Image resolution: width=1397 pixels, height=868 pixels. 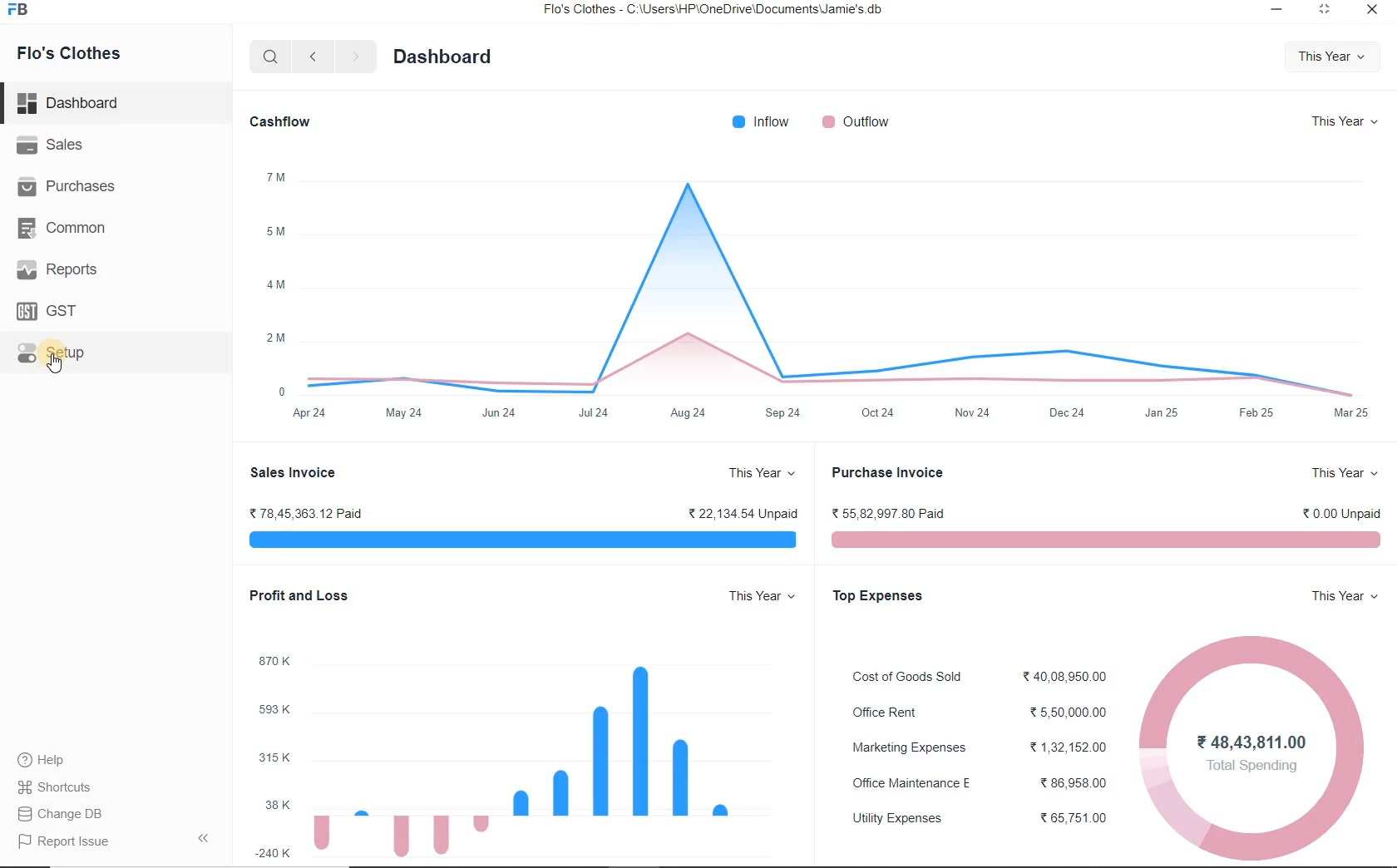 I want to click on Oct 24, so click(x=881, y=413).